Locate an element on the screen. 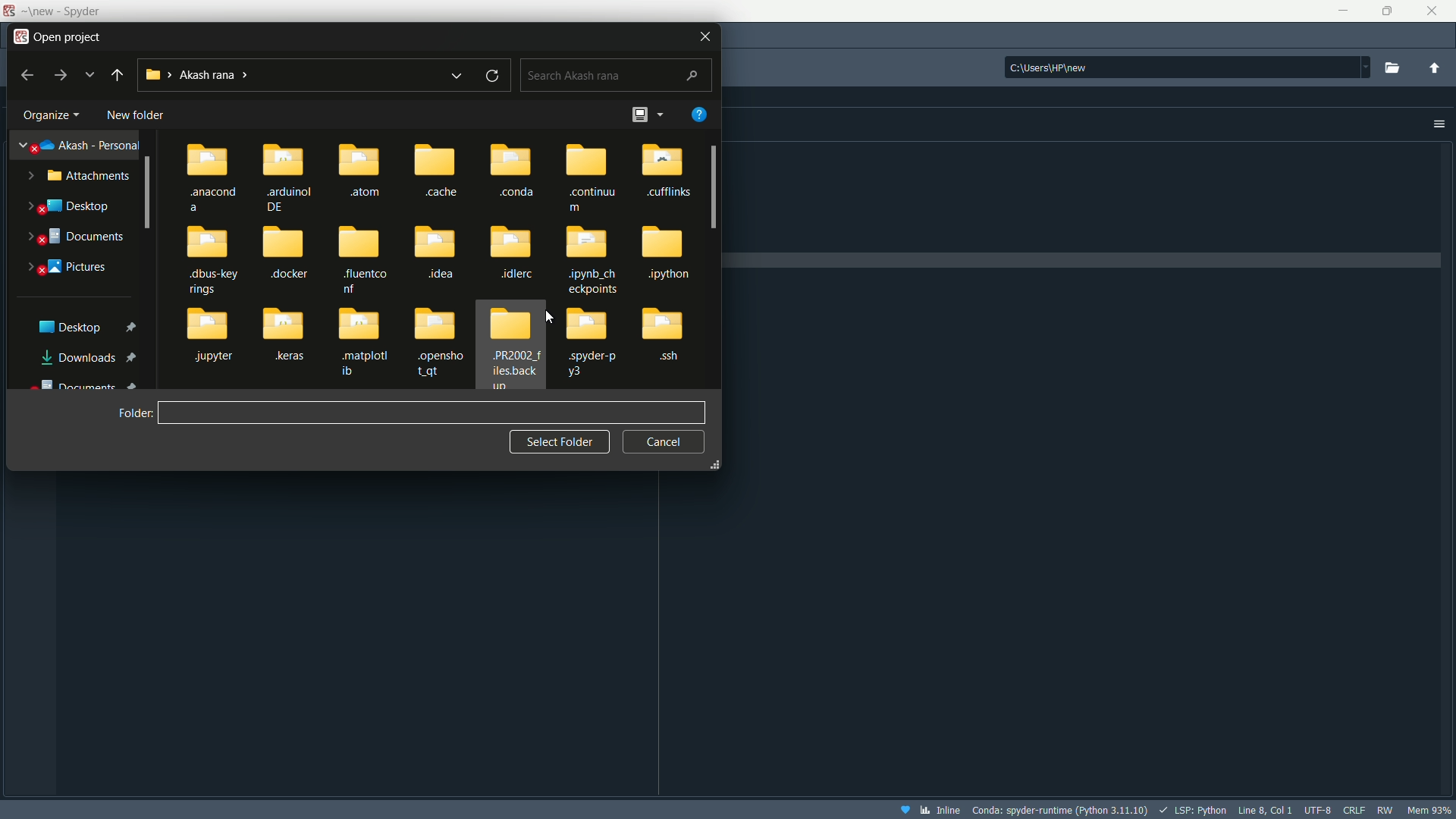  cancel is located at coordinates (664, 441).